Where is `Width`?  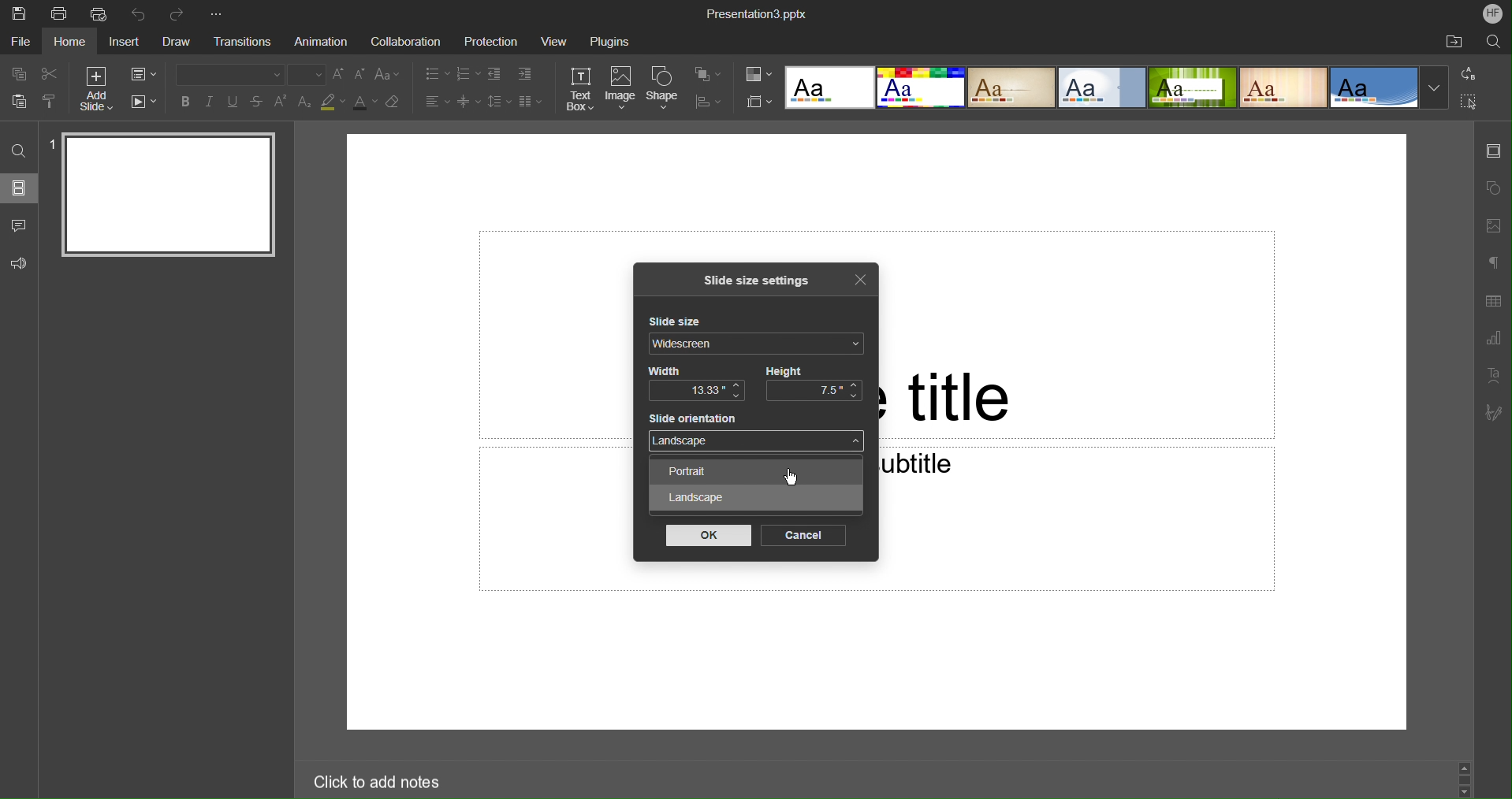
Width is located at coordinates (663, 370).